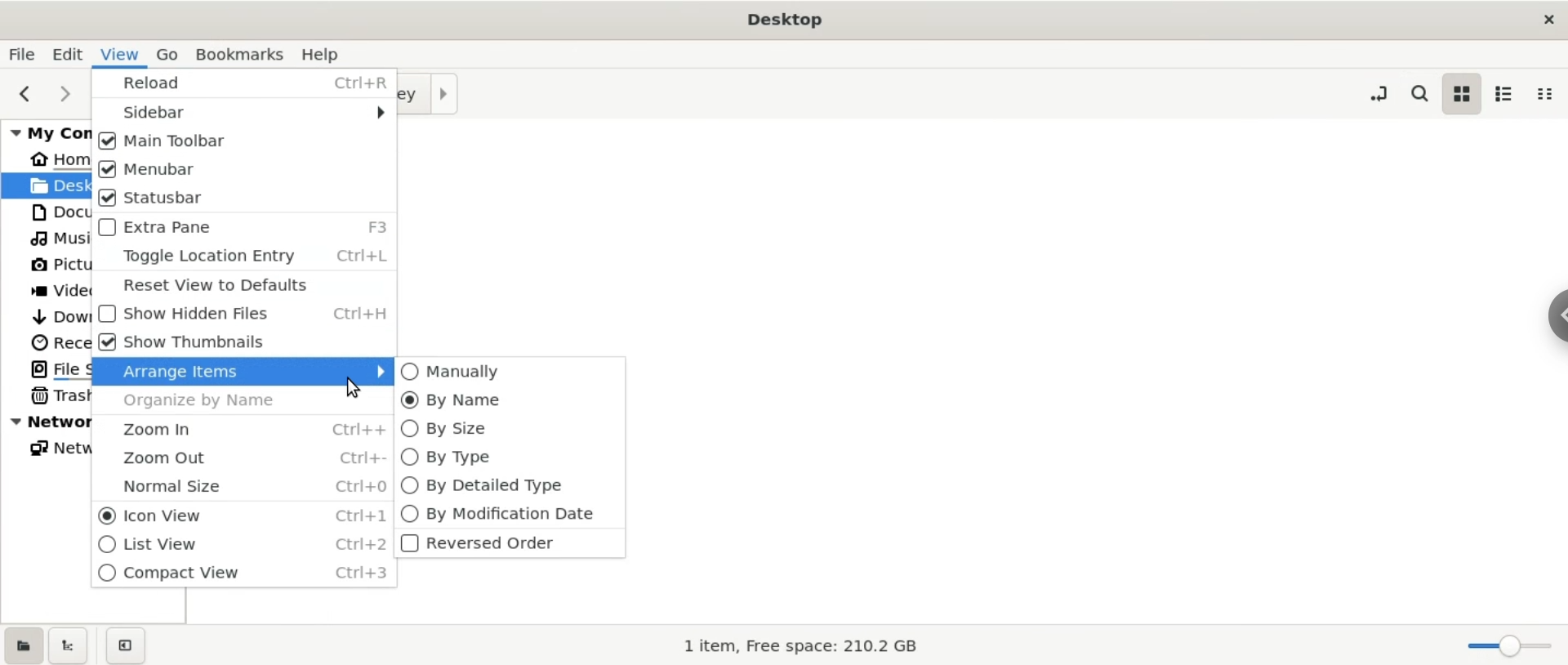  What do you see at coordinates (73, 55) in the screenshot?
I see `edit` at bounding box center [73, 55].